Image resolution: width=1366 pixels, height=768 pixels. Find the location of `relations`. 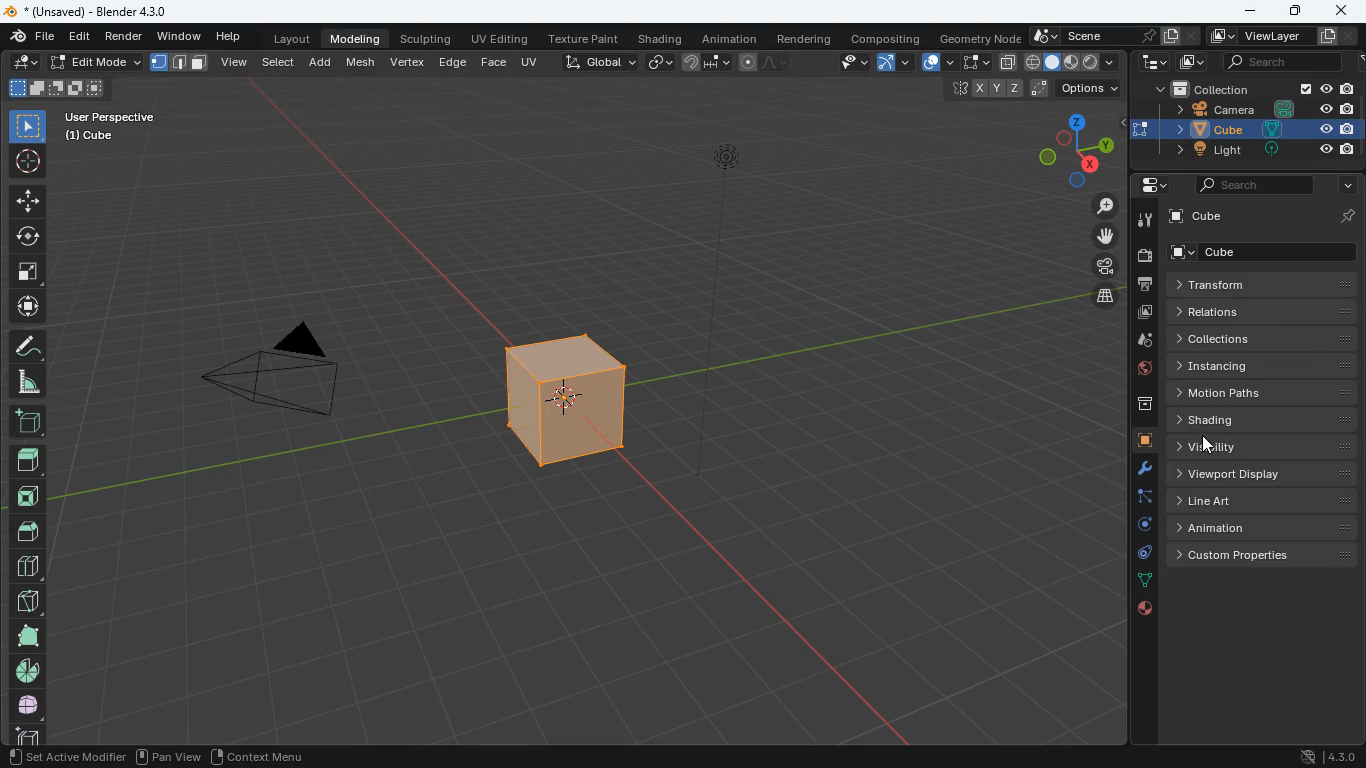

relations is located at coordinates (1262, 313).